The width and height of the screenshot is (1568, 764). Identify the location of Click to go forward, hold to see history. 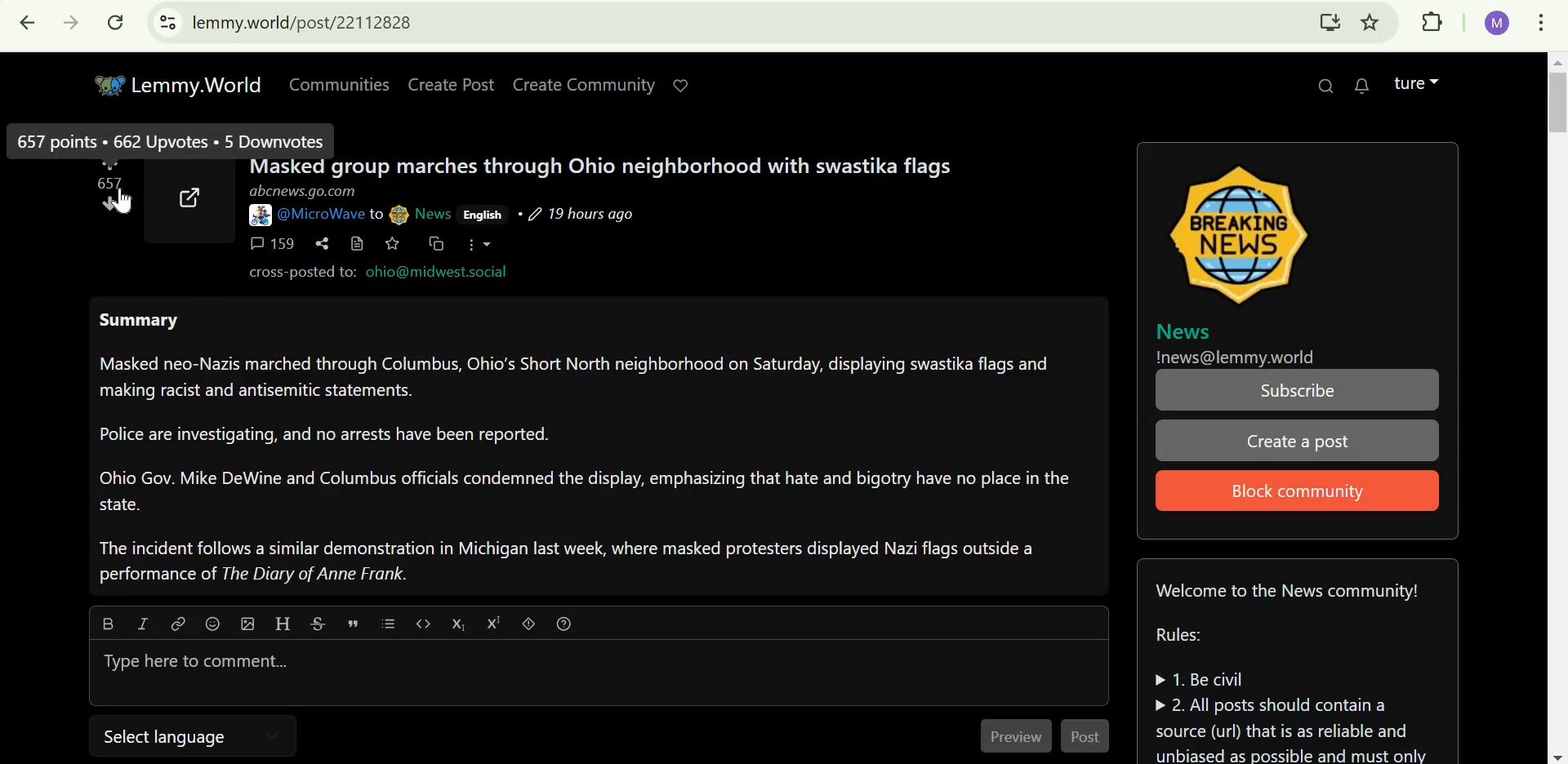
(76, 24).